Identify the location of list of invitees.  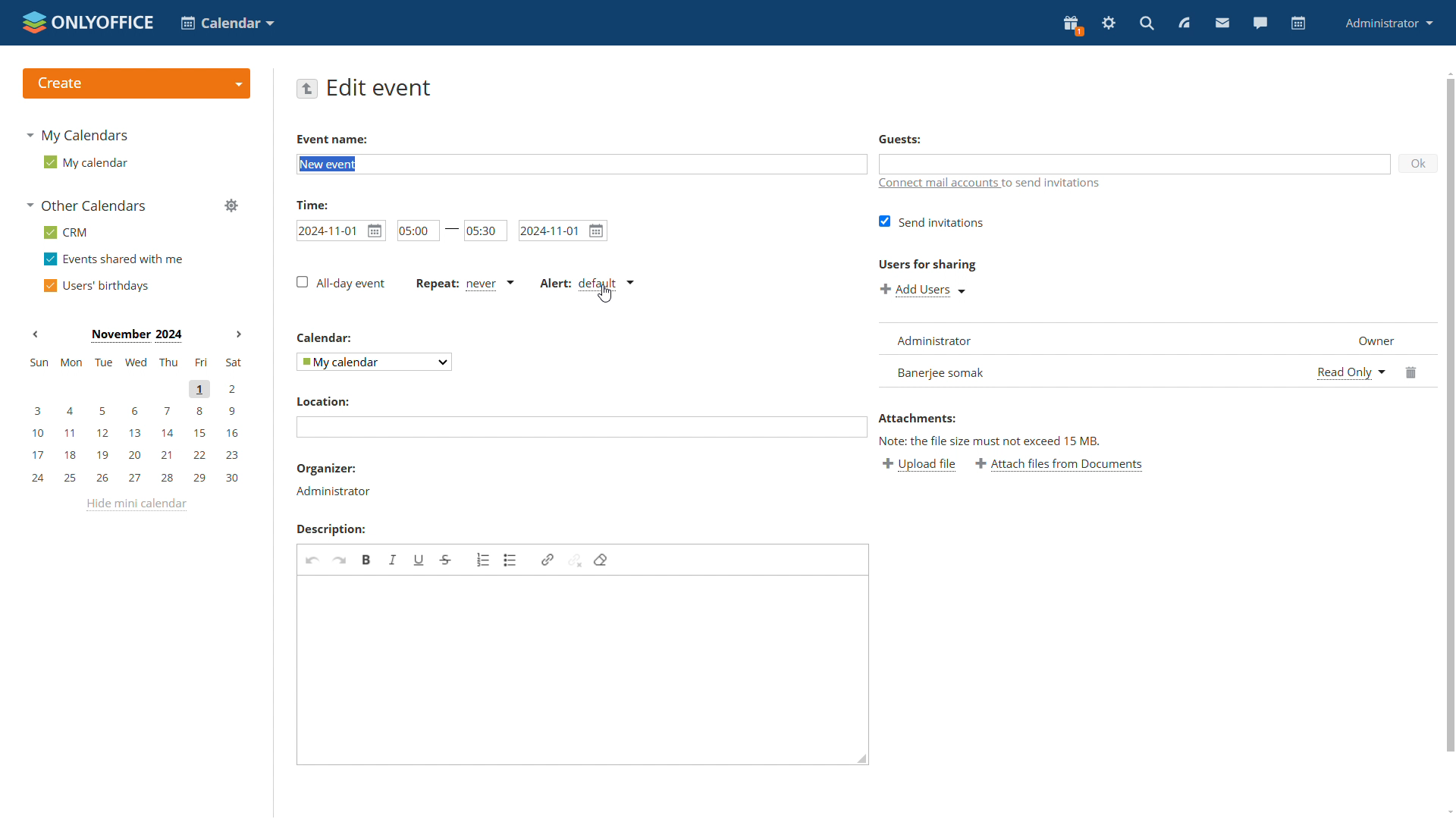
(1092, 354).